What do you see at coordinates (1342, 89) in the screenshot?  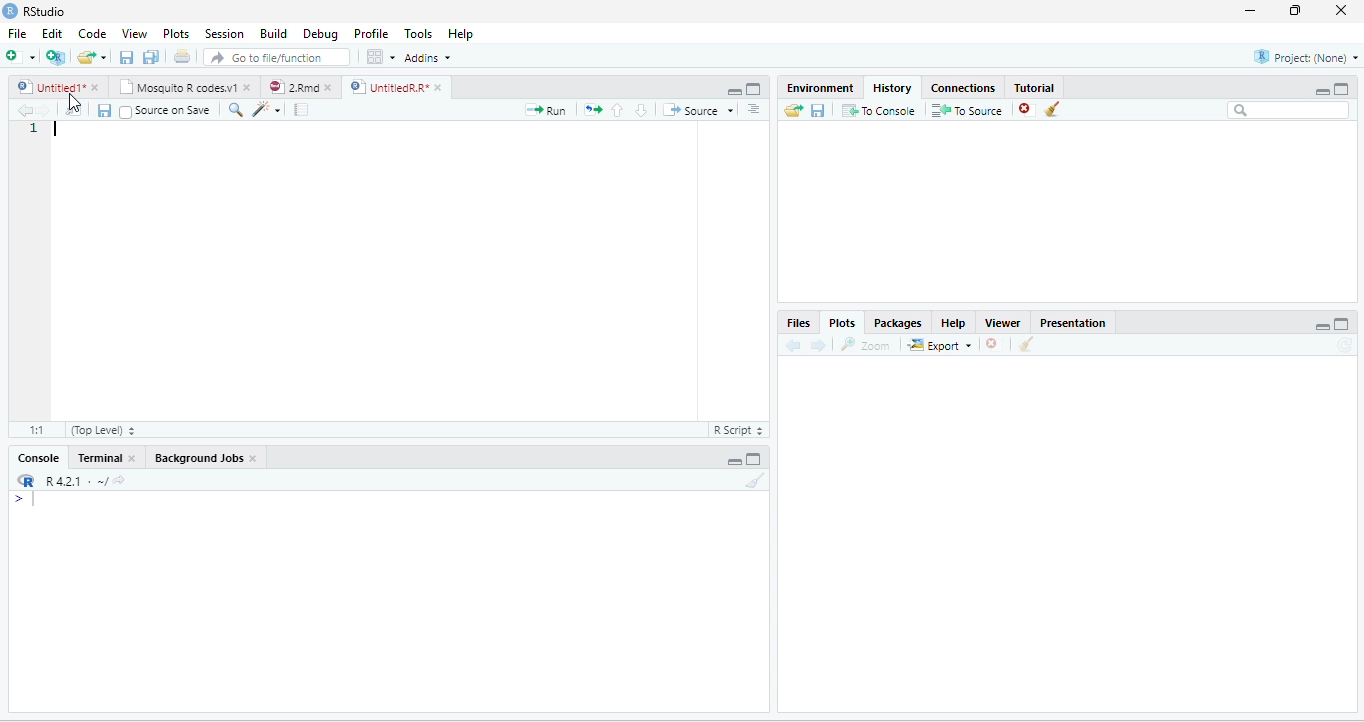 I see `Maximize` at bounding box center [1342, 89].